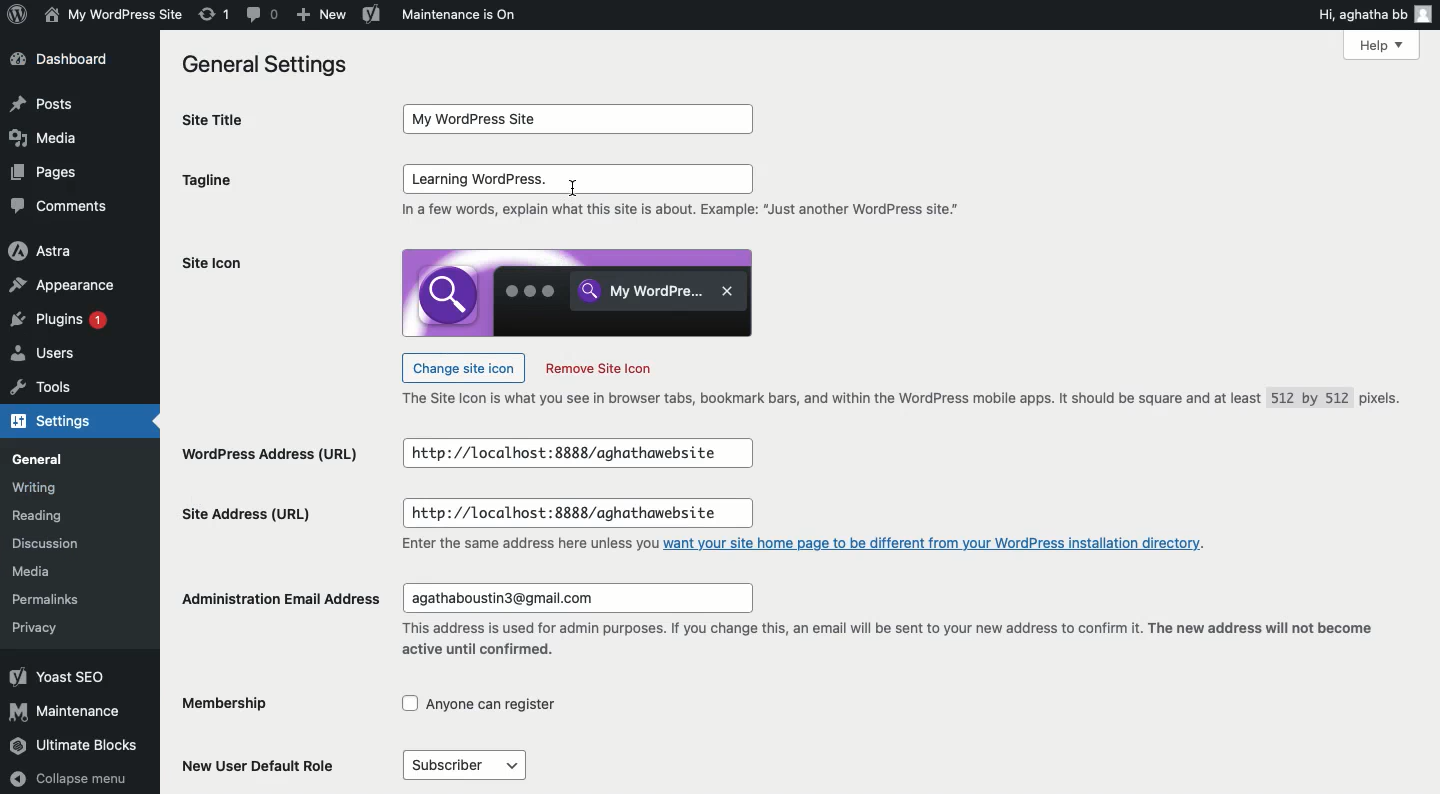  I want to click on input box, so click(576, 511).